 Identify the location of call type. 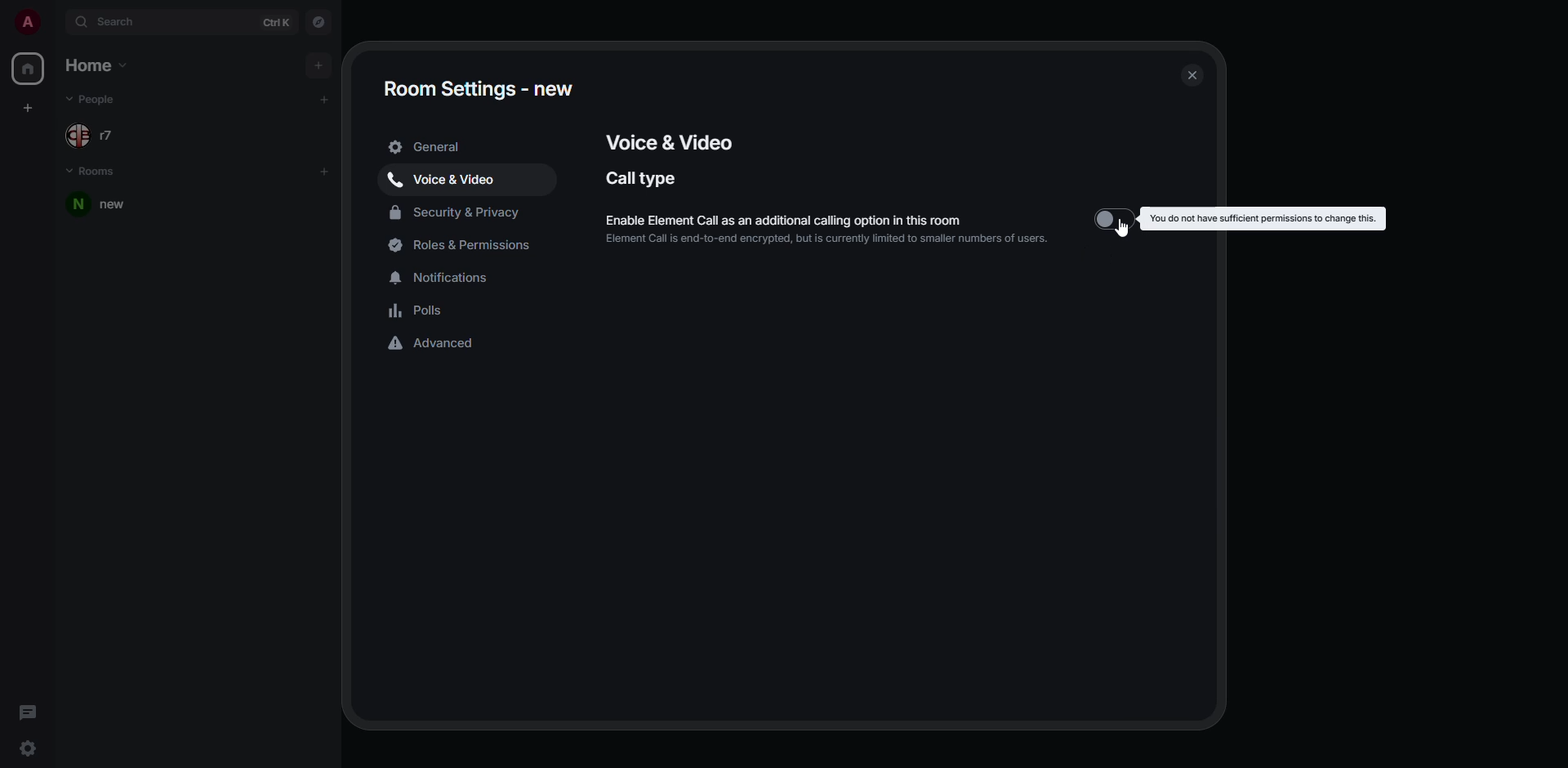
(644, 178).